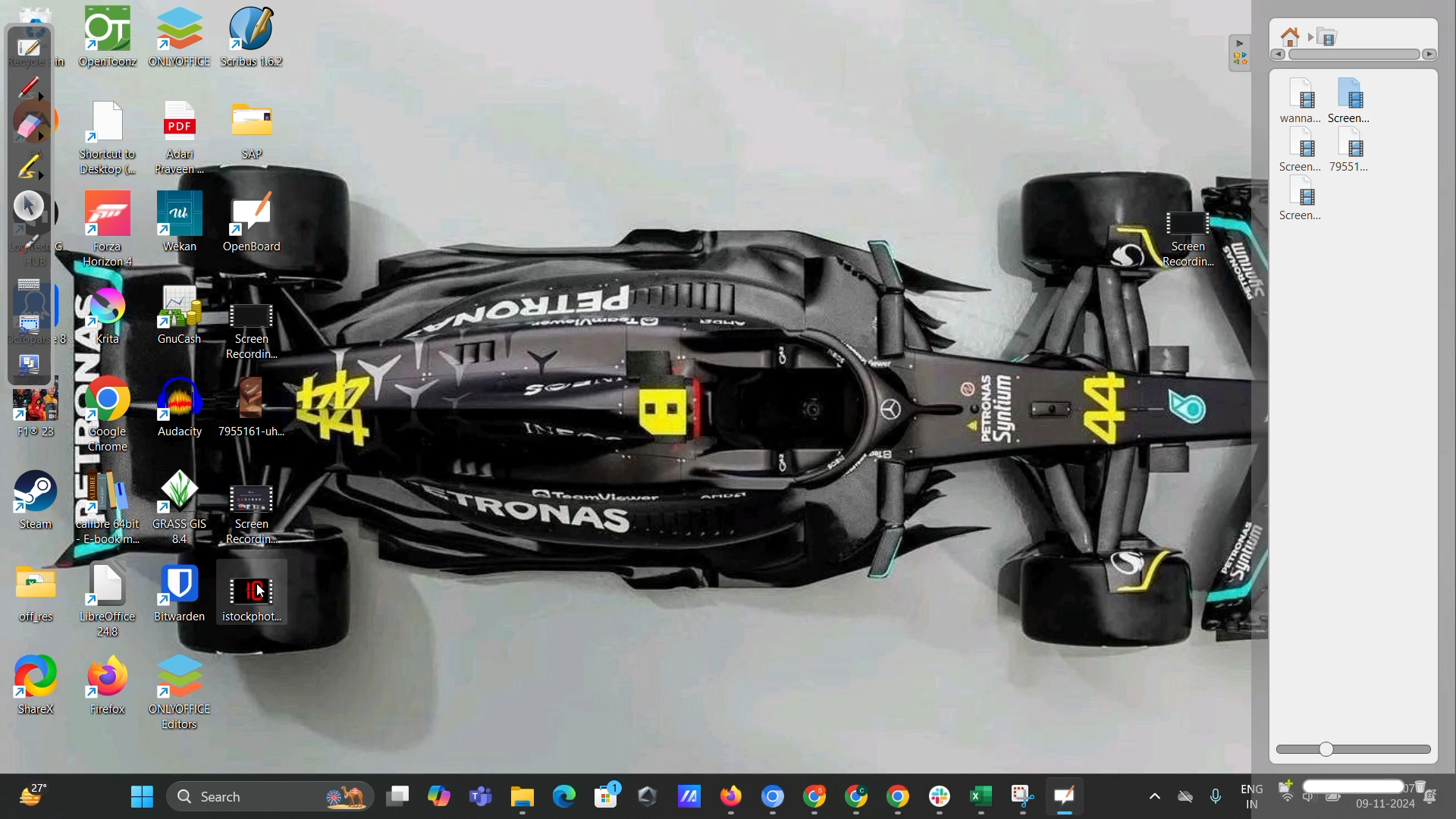  Describe the element at coordinates (34, 365) in the screenshot. I see `capture screen` at that location.